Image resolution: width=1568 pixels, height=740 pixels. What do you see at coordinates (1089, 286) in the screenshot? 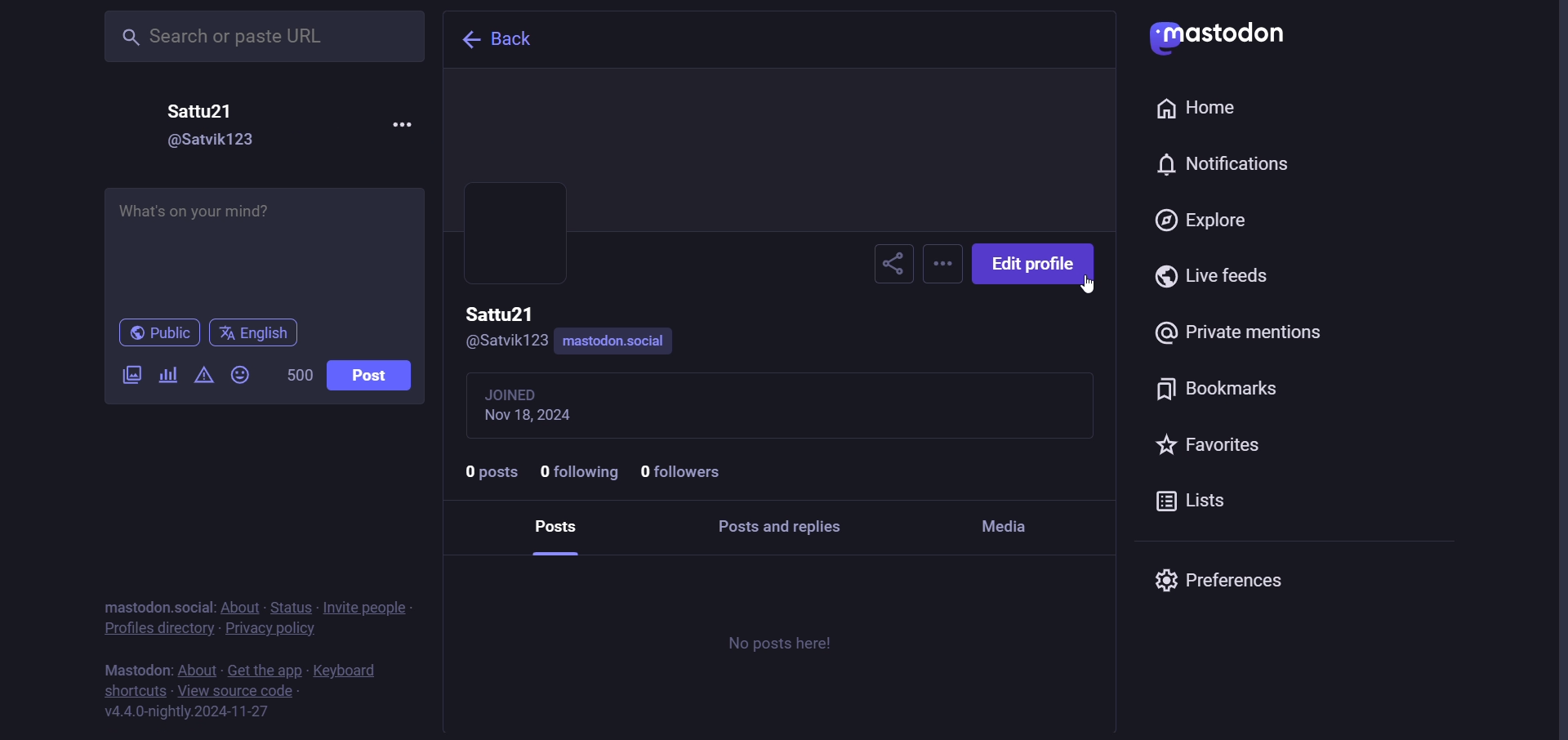
I see `cursor` at bounding box center [1089, 286].